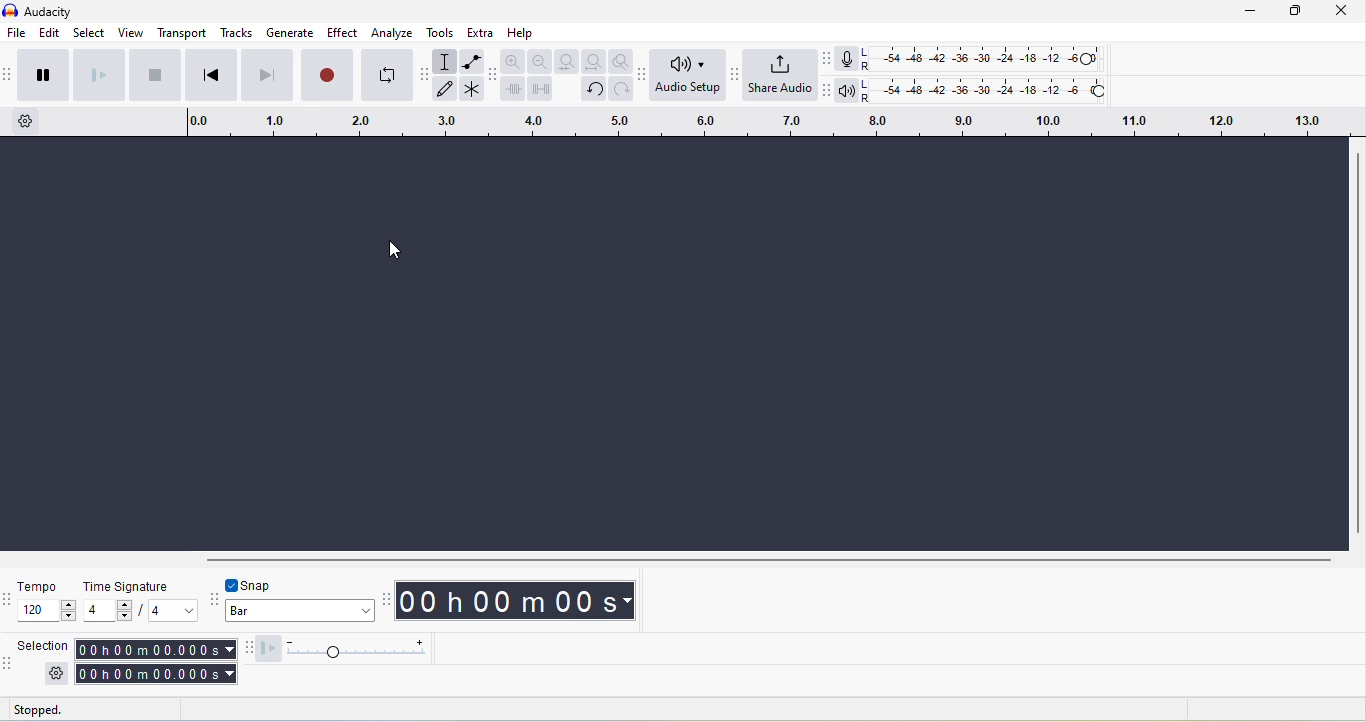  What do you see at coordinates (57, 11) in the screenshot?
I see `title` at bounding box center [57, 11].